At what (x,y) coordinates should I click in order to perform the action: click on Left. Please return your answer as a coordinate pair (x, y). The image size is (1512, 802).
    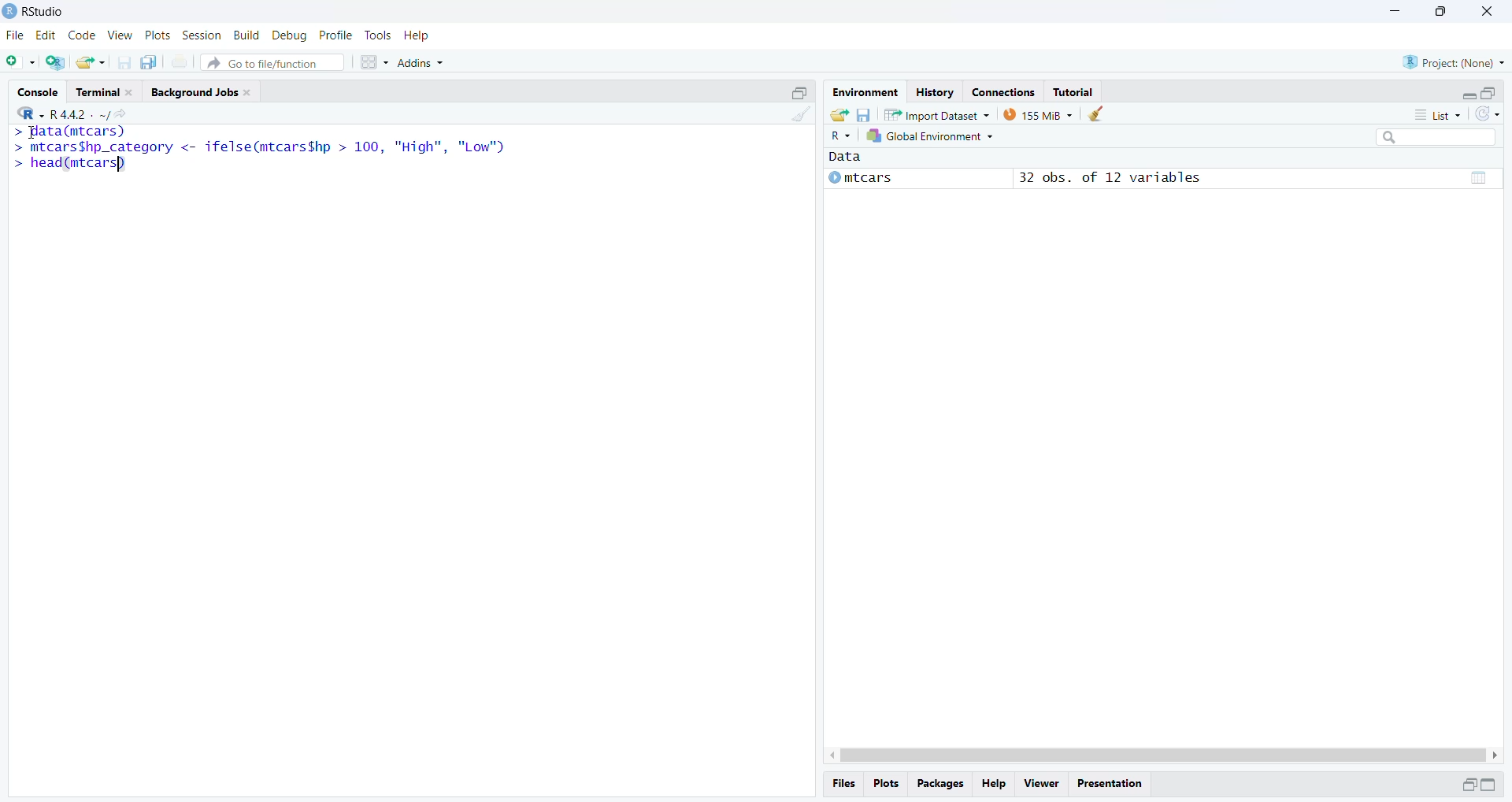
    Looking at the image, I should click on (826, 752).